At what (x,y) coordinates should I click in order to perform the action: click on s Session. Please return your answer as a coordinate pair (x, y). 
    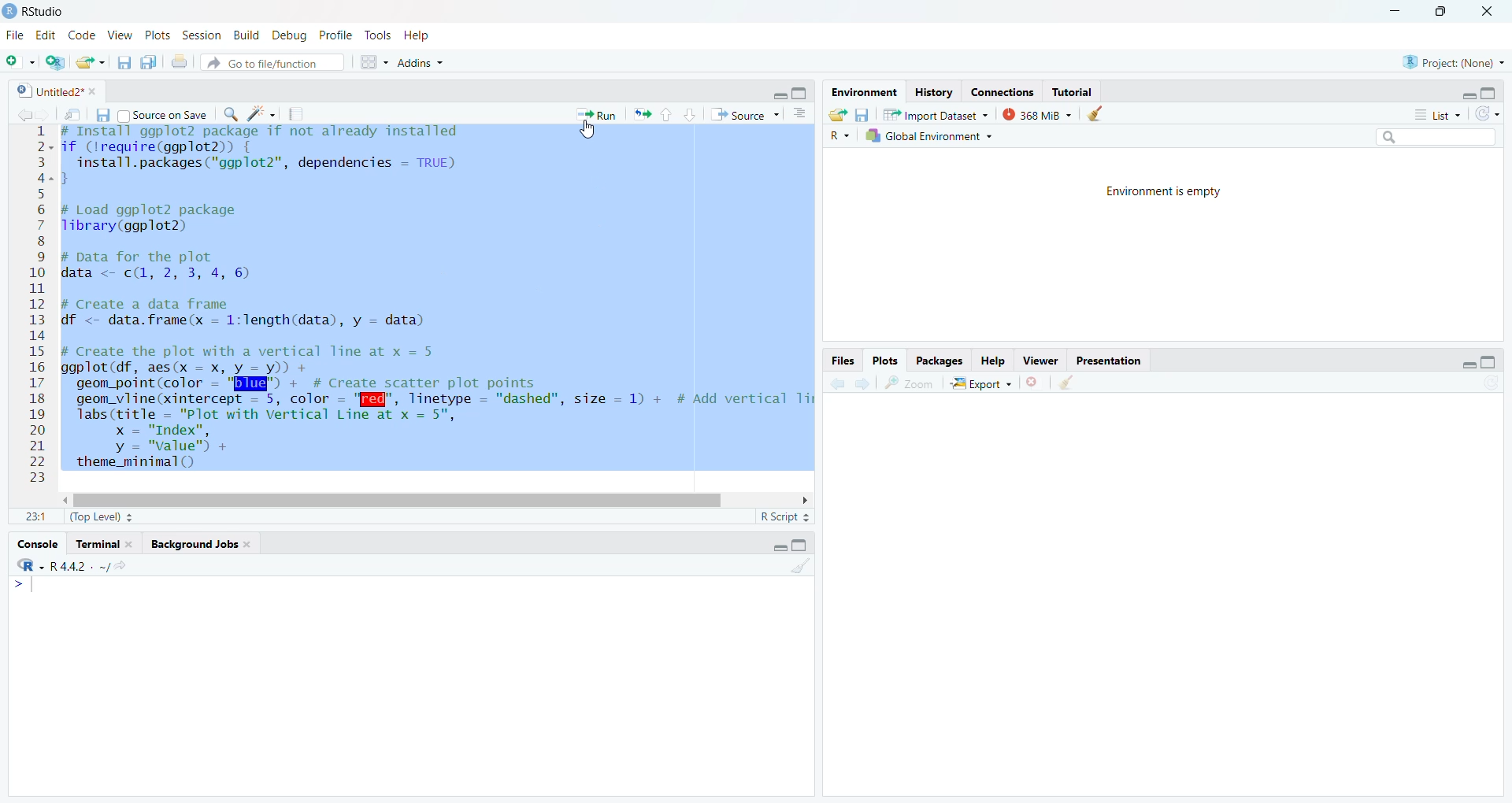
    Looking at the image, I should click on (198, 35).